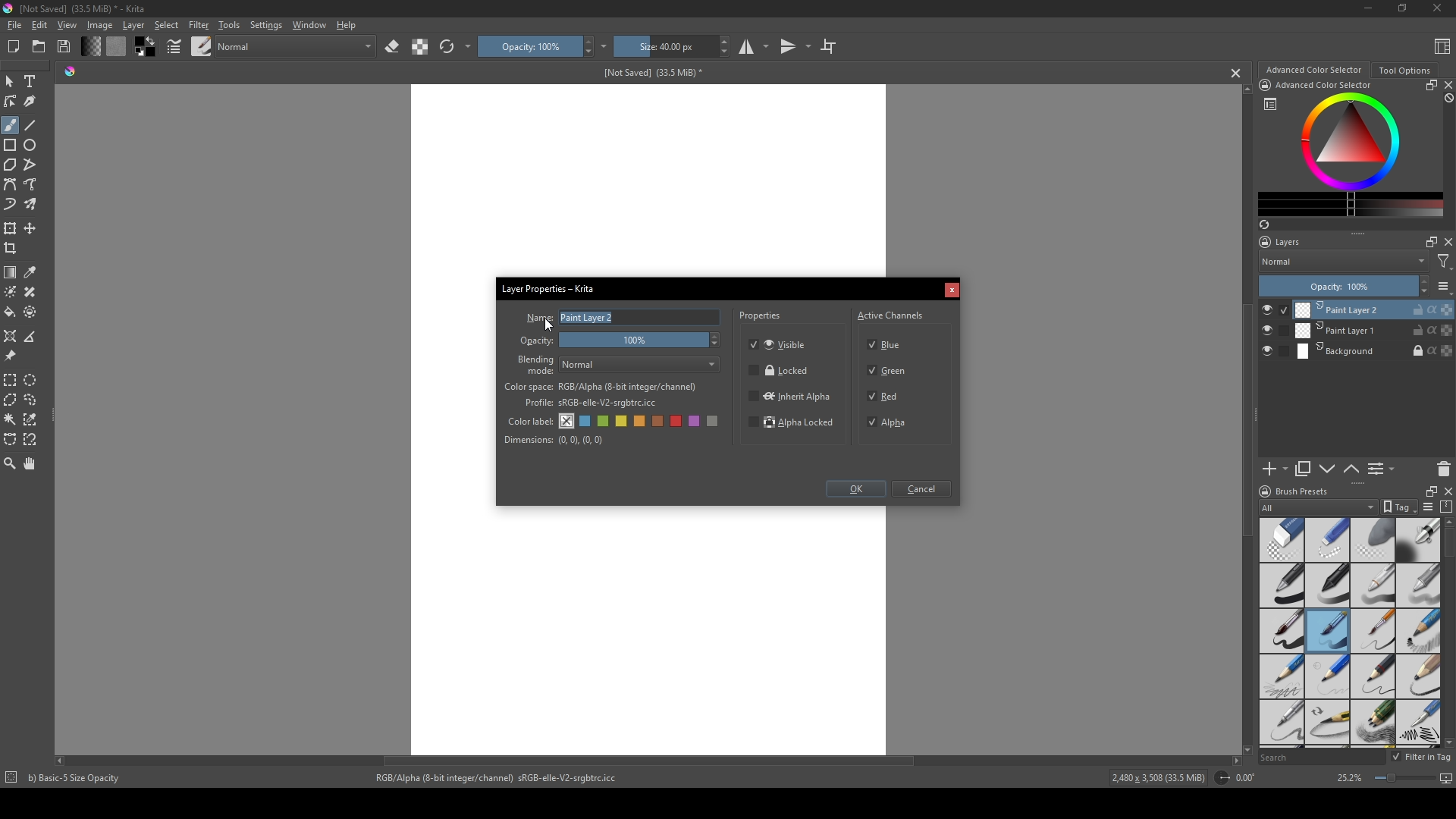 This screenshot has height=819, width=1456. I want to click on magic wand, so click(10, 419).